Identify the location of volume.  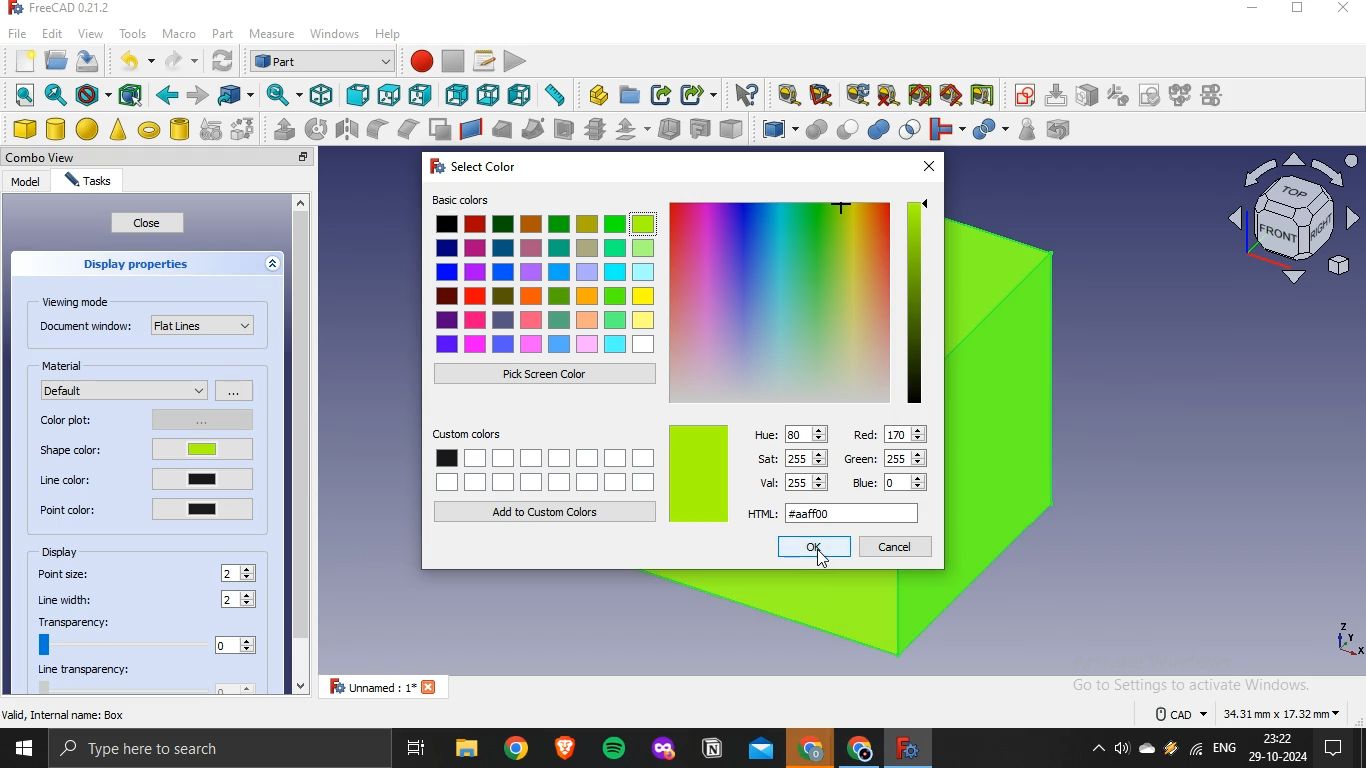
(1121, 750).